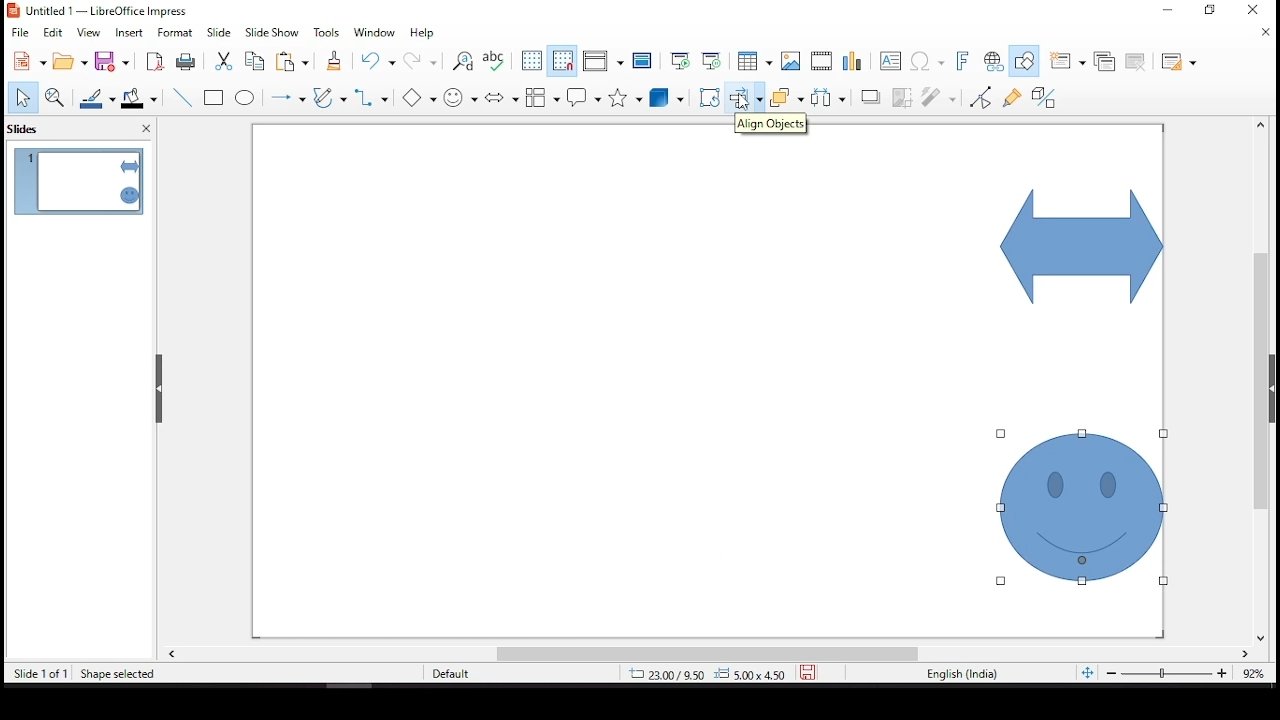  I want to click on tools, so click(327, 33).